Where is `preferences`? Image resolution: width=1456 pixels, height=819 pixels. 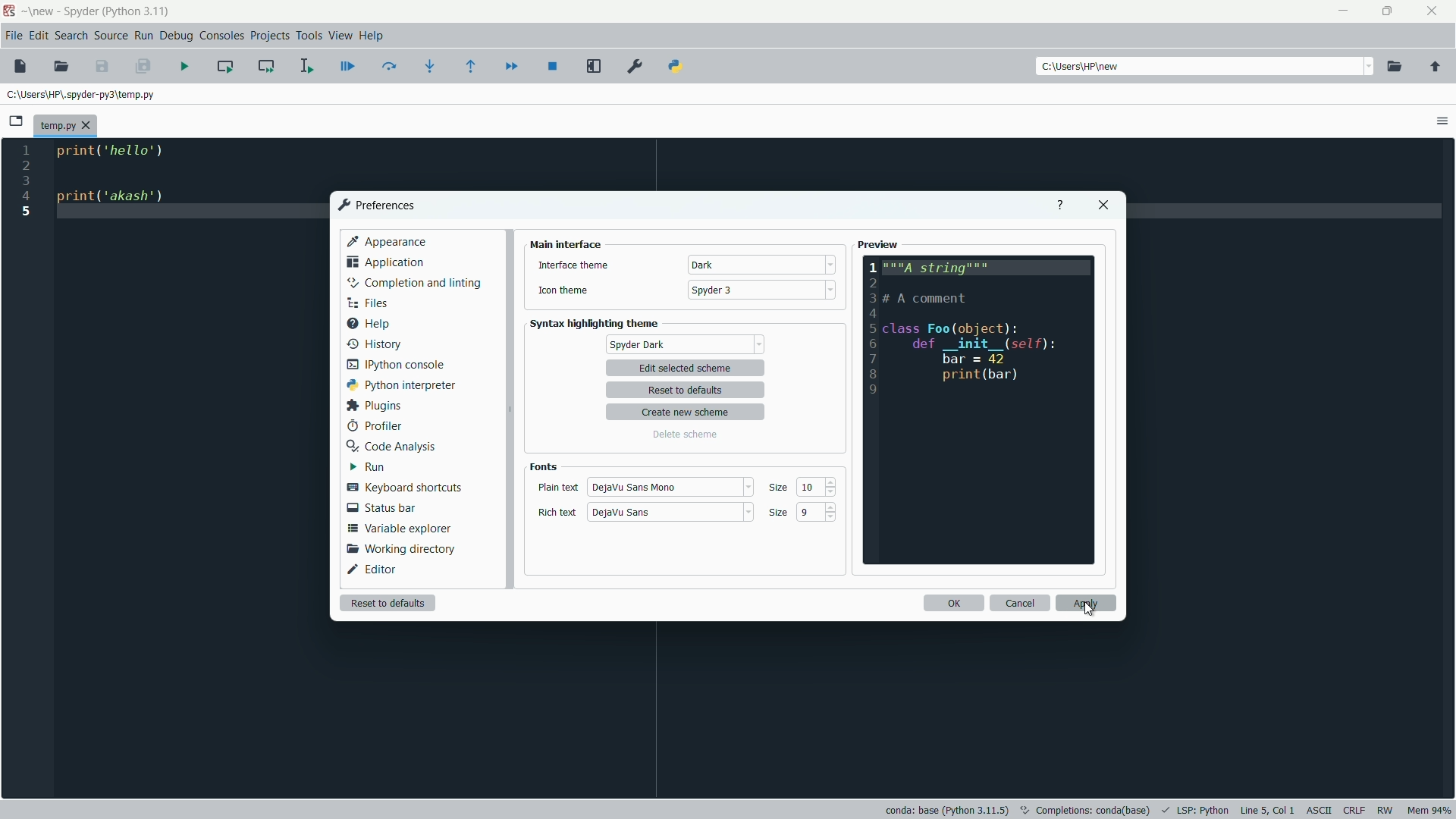 preferences is located at coordinates (375, 205).